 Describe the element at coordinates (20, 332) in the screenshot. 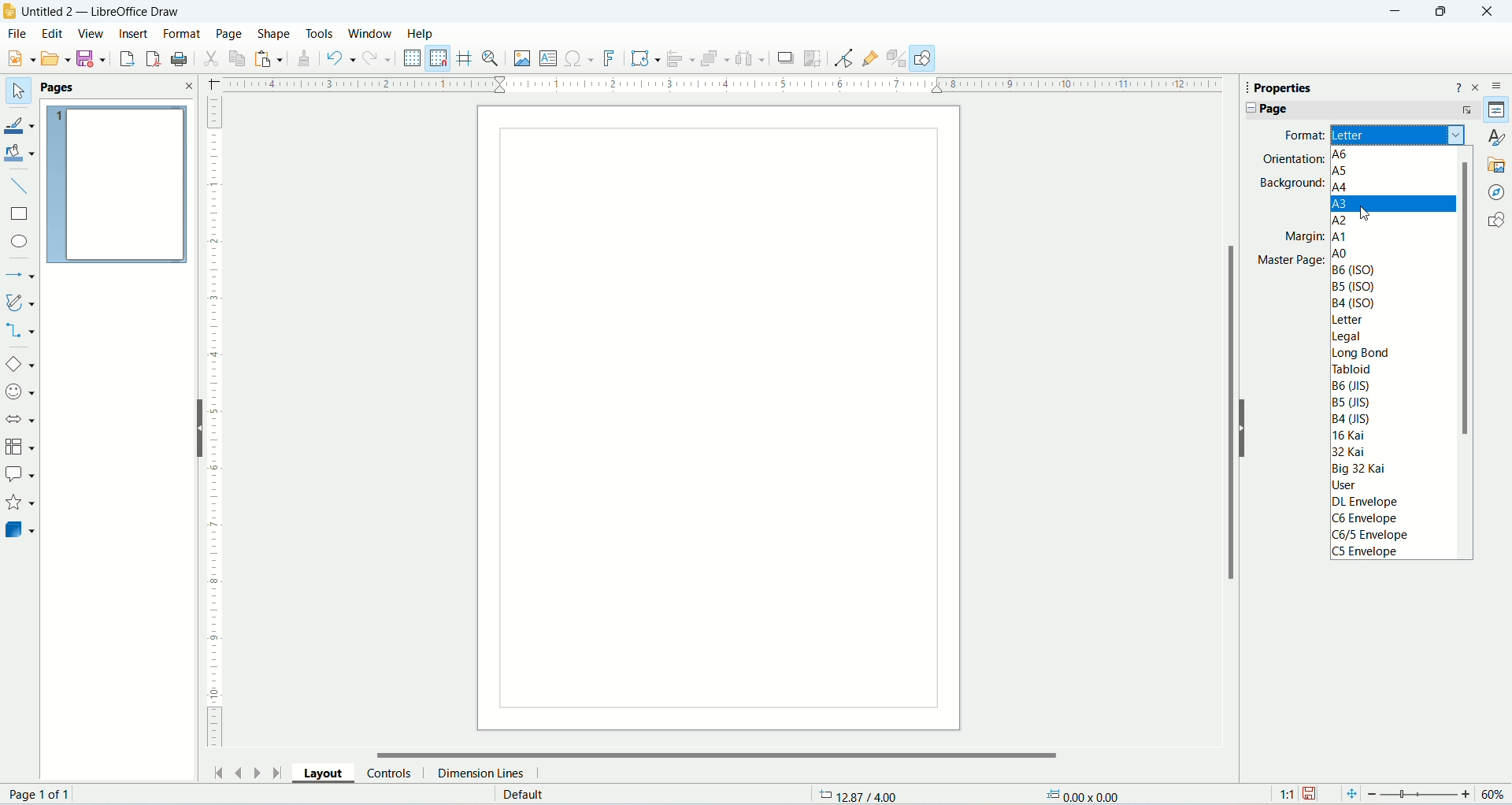

I see `connectors` at that location.